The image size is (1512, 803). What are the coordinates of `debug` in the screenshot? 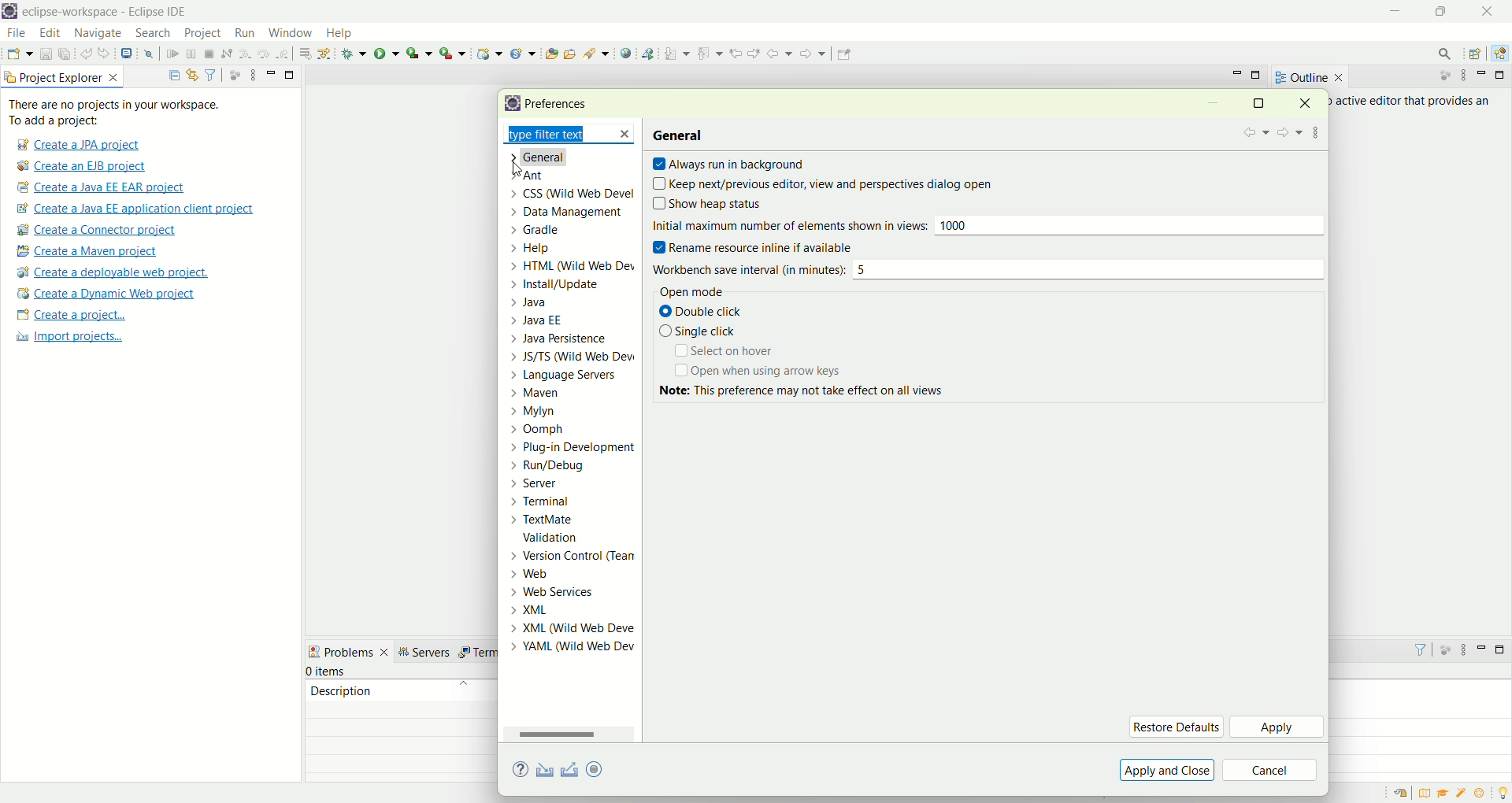 It's located at (354, 54).